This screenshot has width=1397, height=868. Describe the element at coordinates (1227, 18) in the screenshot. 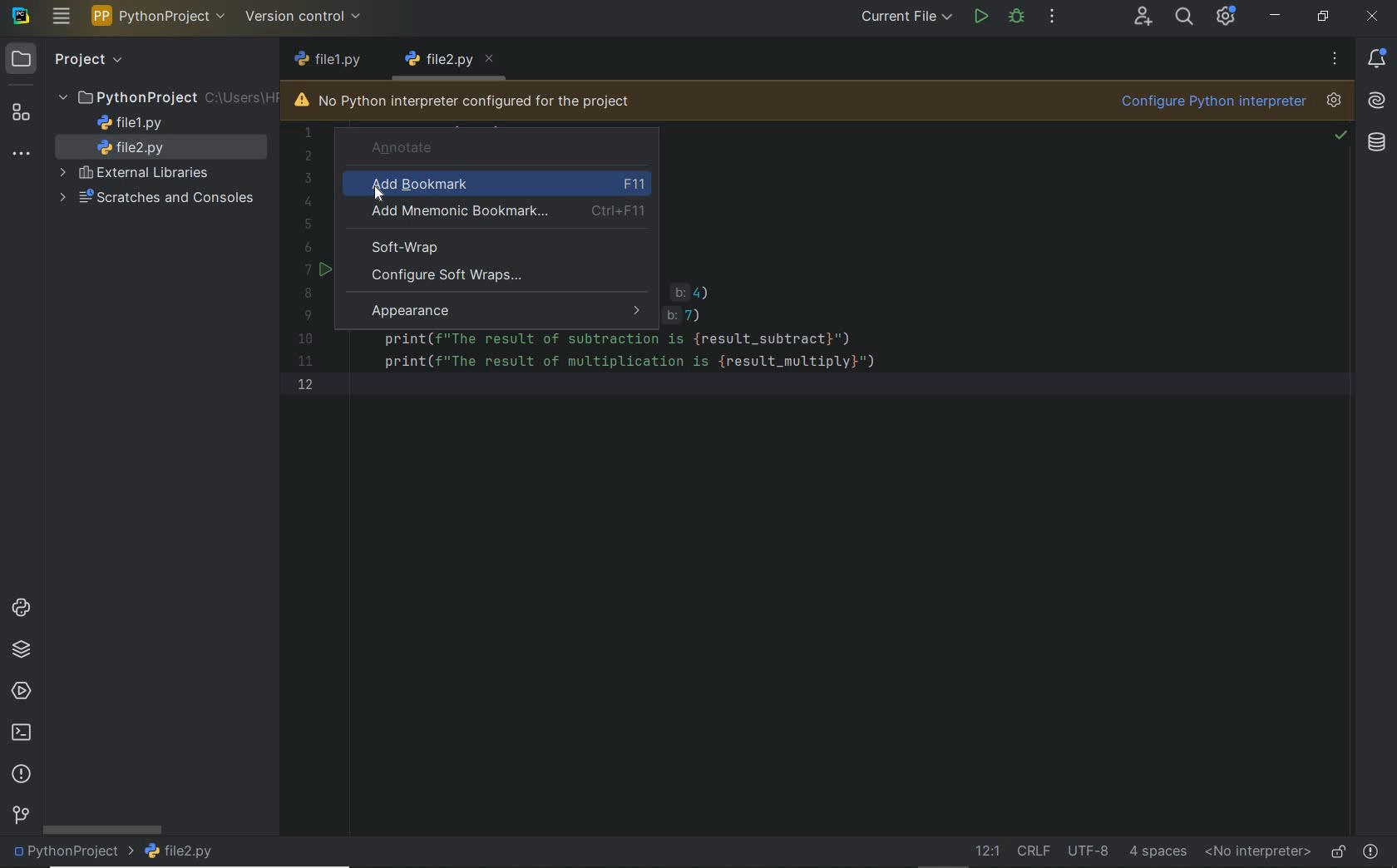

I see `ide and project settings` at that location.